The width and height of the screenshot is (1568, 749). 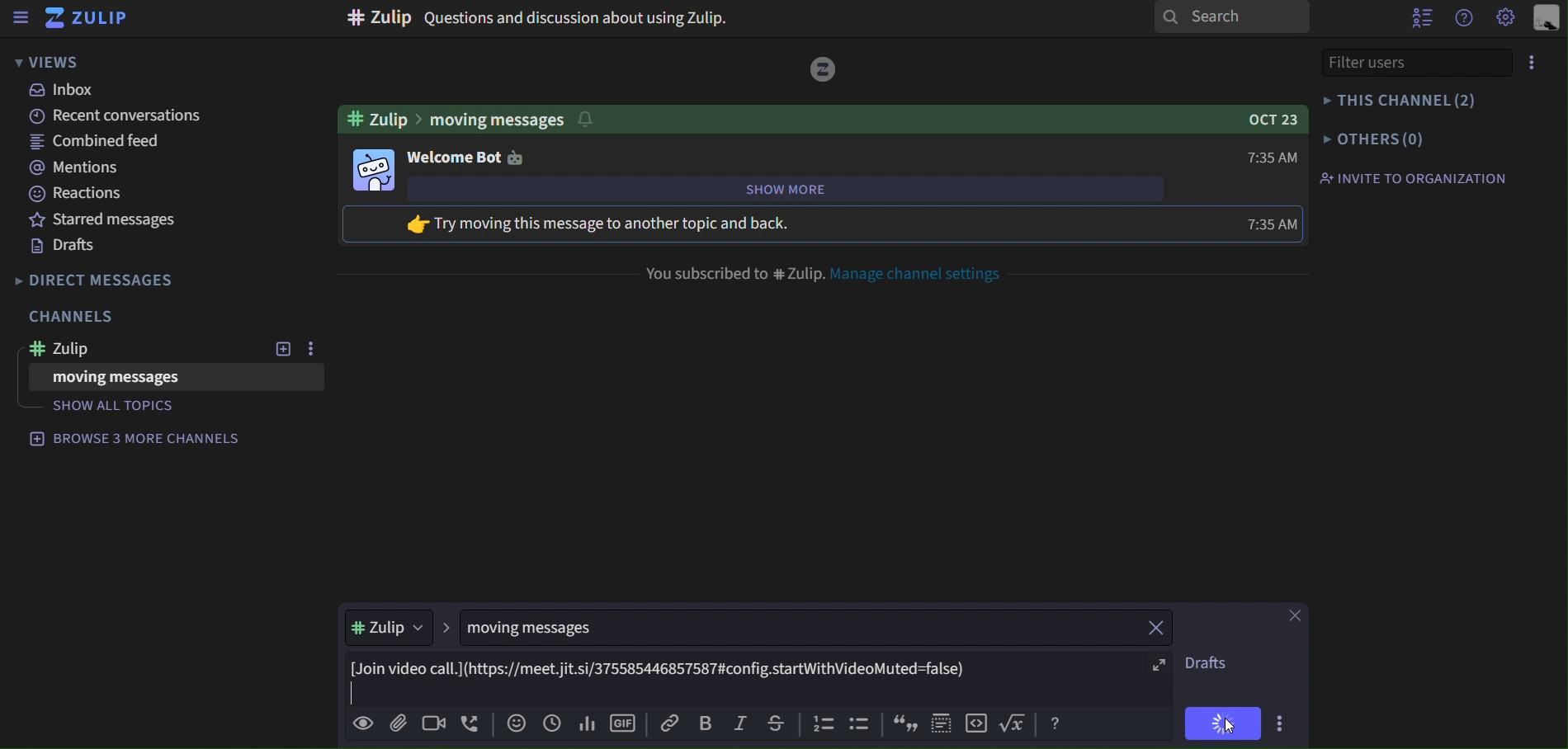 I want to click on # Zulip > moving messages, so click(x=471, y=116).